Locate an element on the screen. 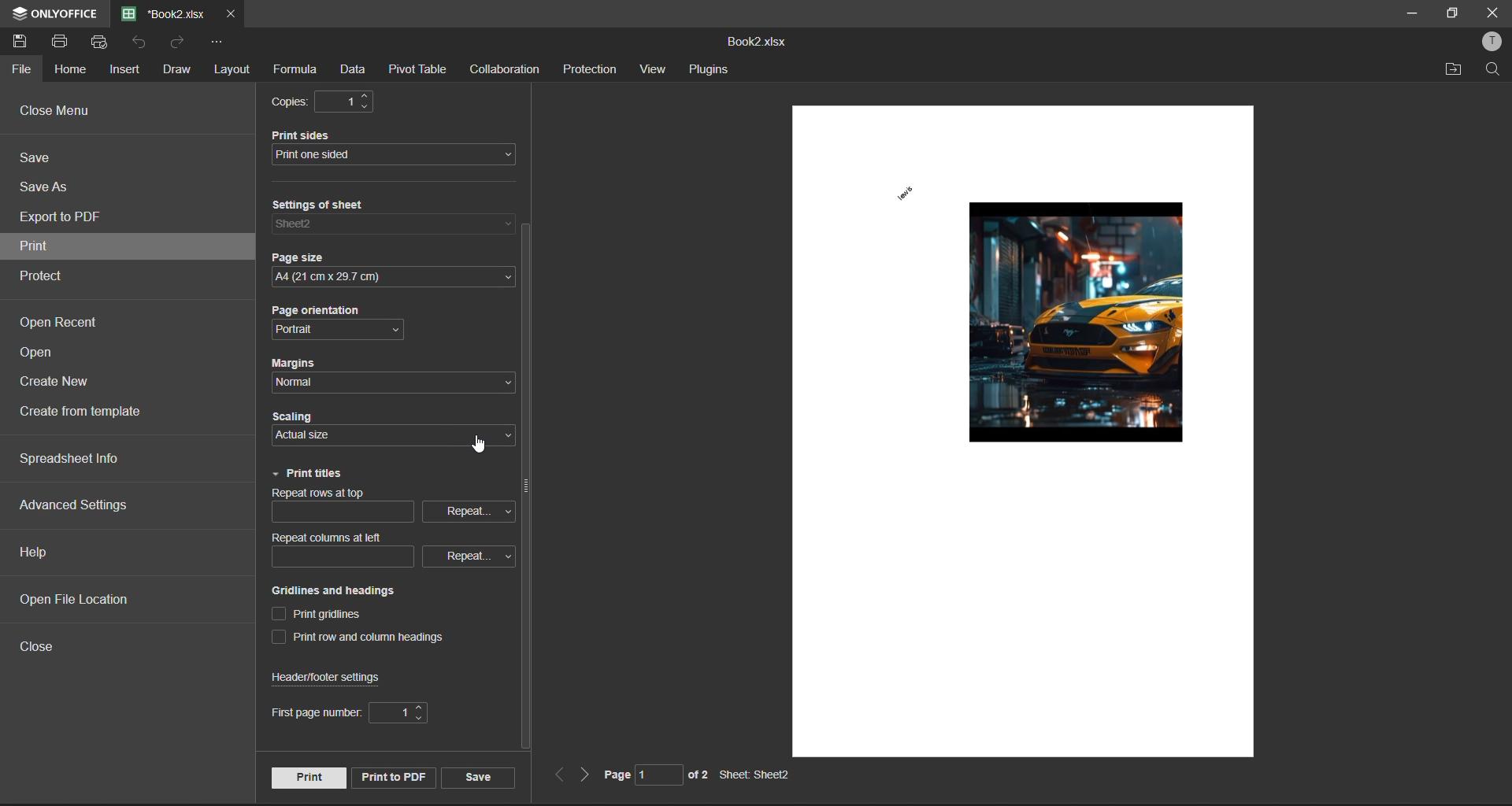 The width and height of the screenshot is (1512, 806). close is located at coordinates (1488, 14).